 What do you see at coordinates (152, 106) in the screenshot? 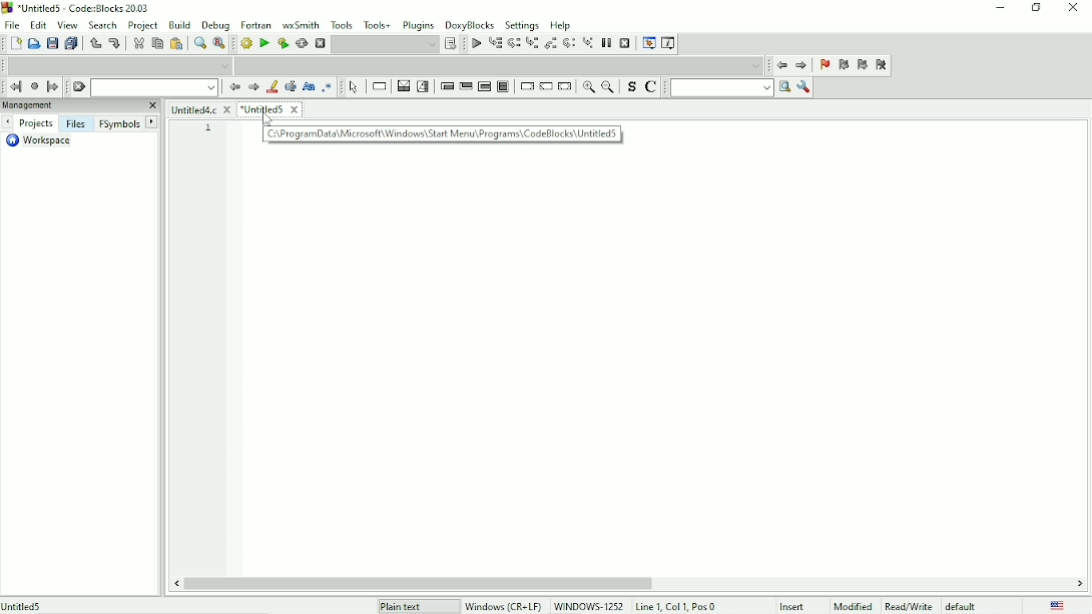
I see `close` at bounding box center [152, 106].